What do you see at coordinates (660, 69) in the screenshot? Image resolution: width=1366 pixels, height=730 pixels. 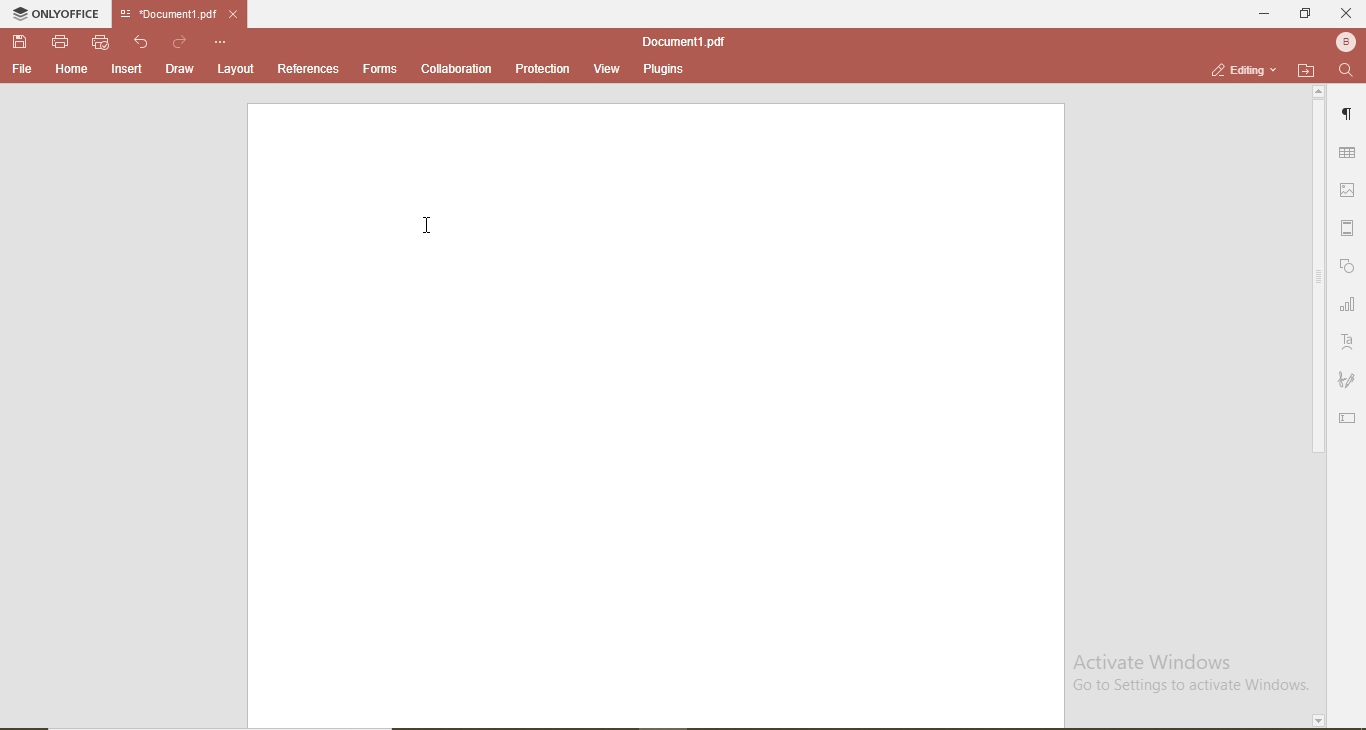 I see `plugins` at bounding box center [660, 69].